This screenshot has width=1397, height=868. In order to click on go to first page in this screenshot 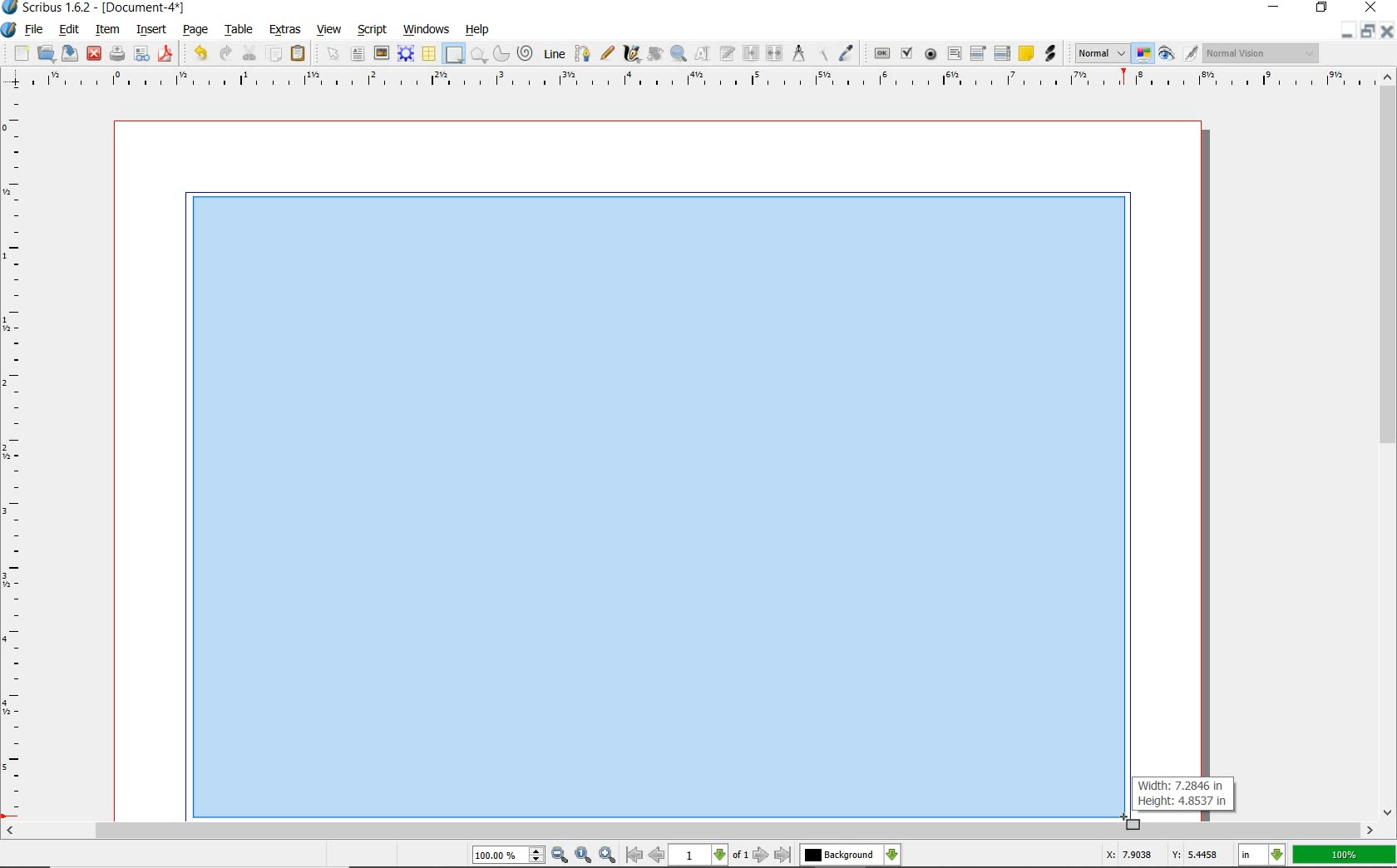, I will do `click(635, 856)`.